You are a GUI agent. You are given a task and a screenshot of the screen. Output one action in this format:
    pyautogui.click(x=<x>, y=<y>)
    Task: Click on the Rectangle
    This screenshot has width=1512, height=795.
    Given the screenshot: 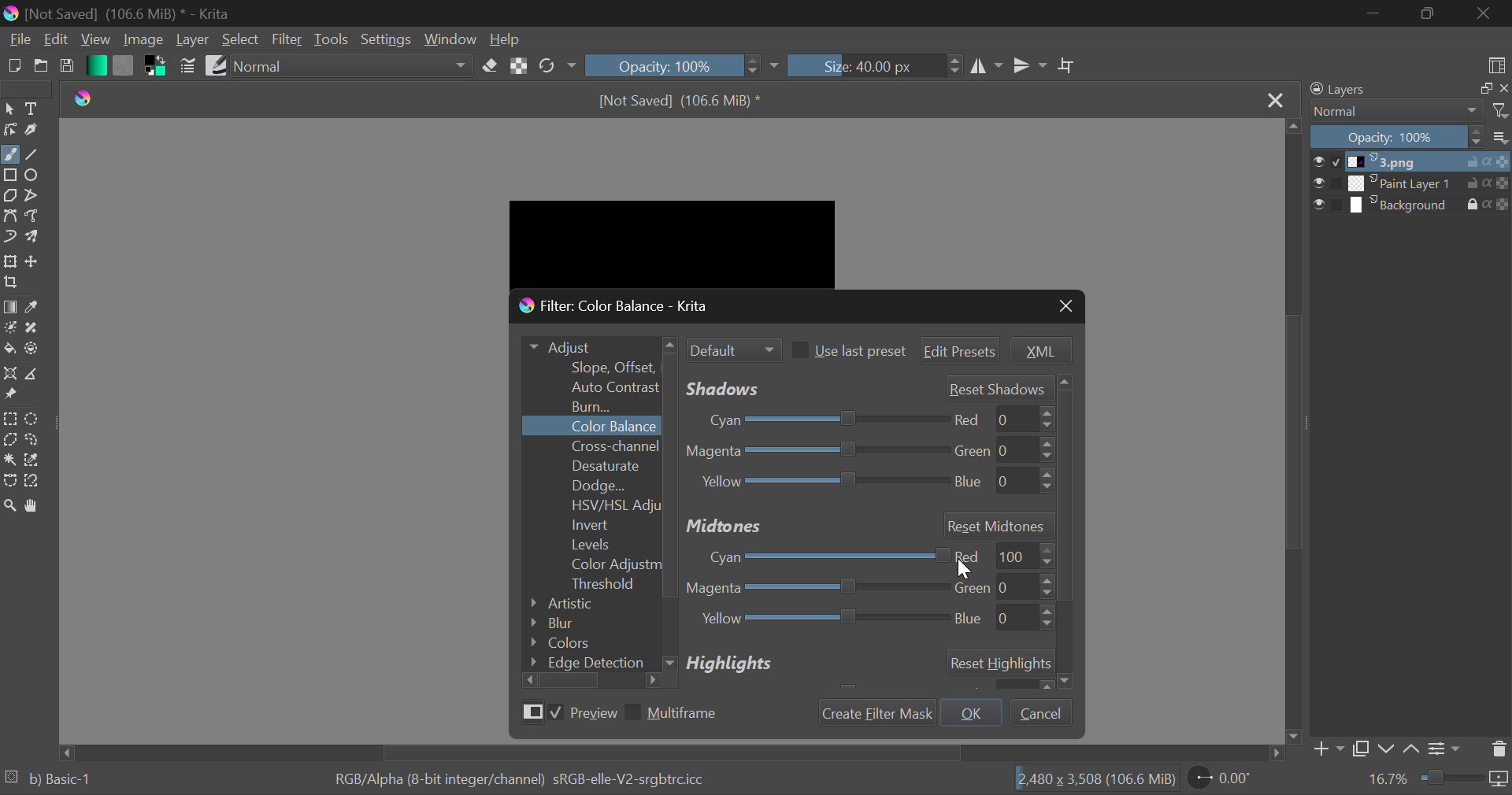 What is the action you would take?
    pyautogui.click(x=13, y=176)
    